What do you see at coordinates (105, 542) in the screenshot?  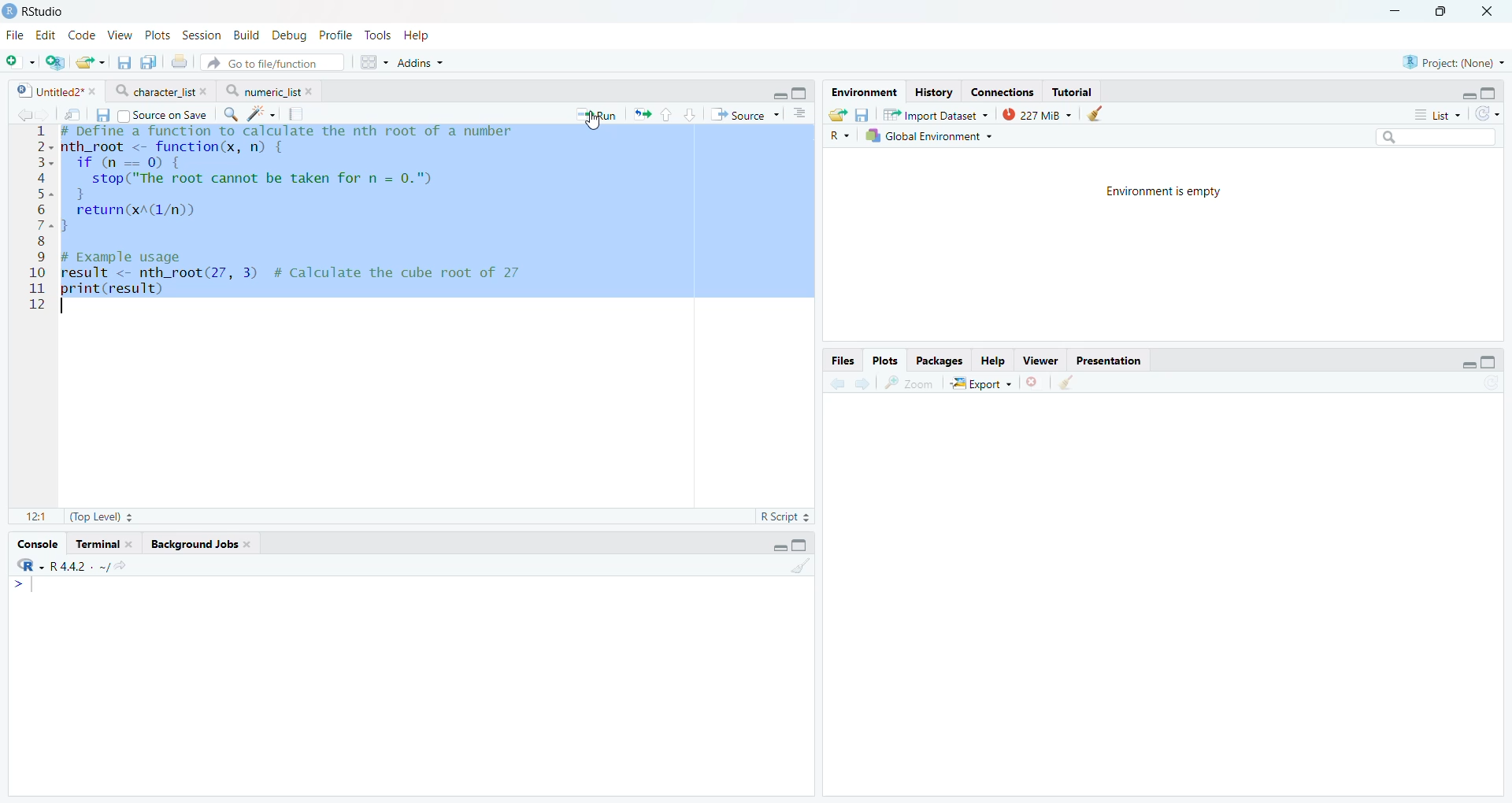 I see `Terminal` at bounding box center [105, 542].